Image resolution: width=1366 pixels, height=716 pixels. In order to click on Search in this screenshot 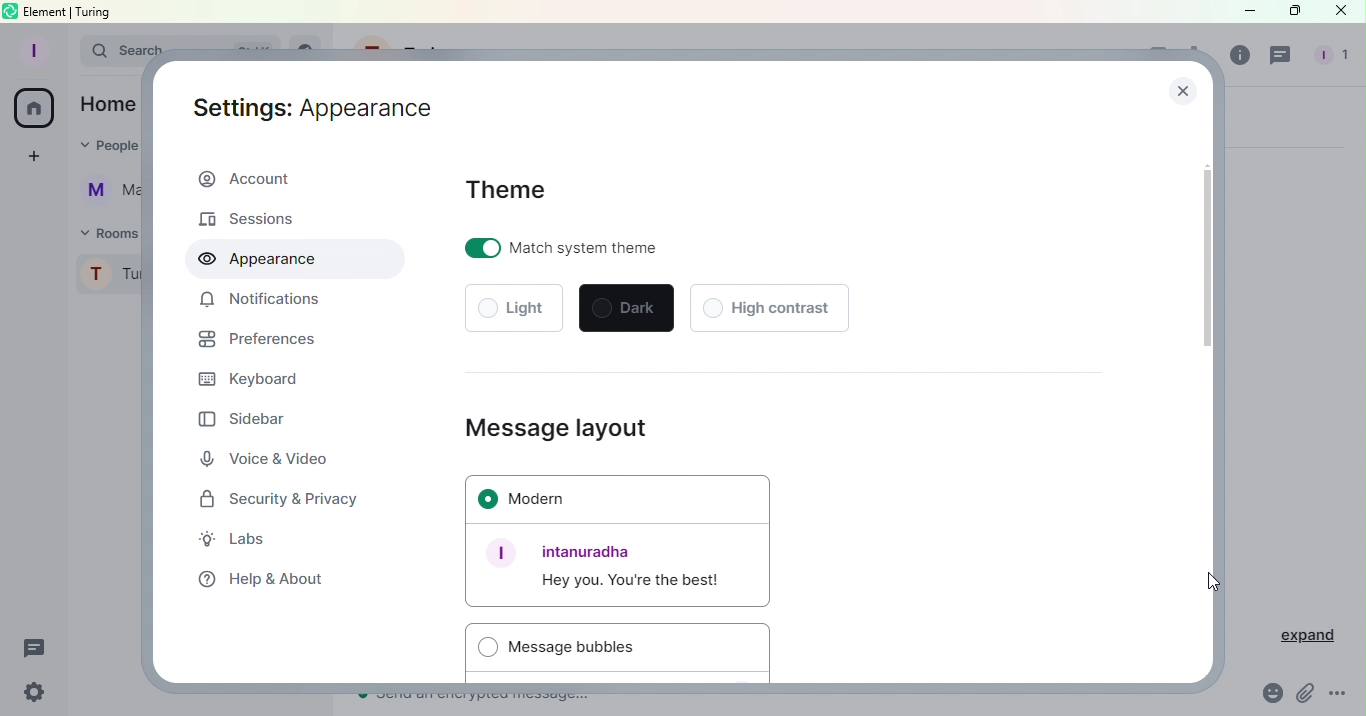, I will do `click(112, 53)`.